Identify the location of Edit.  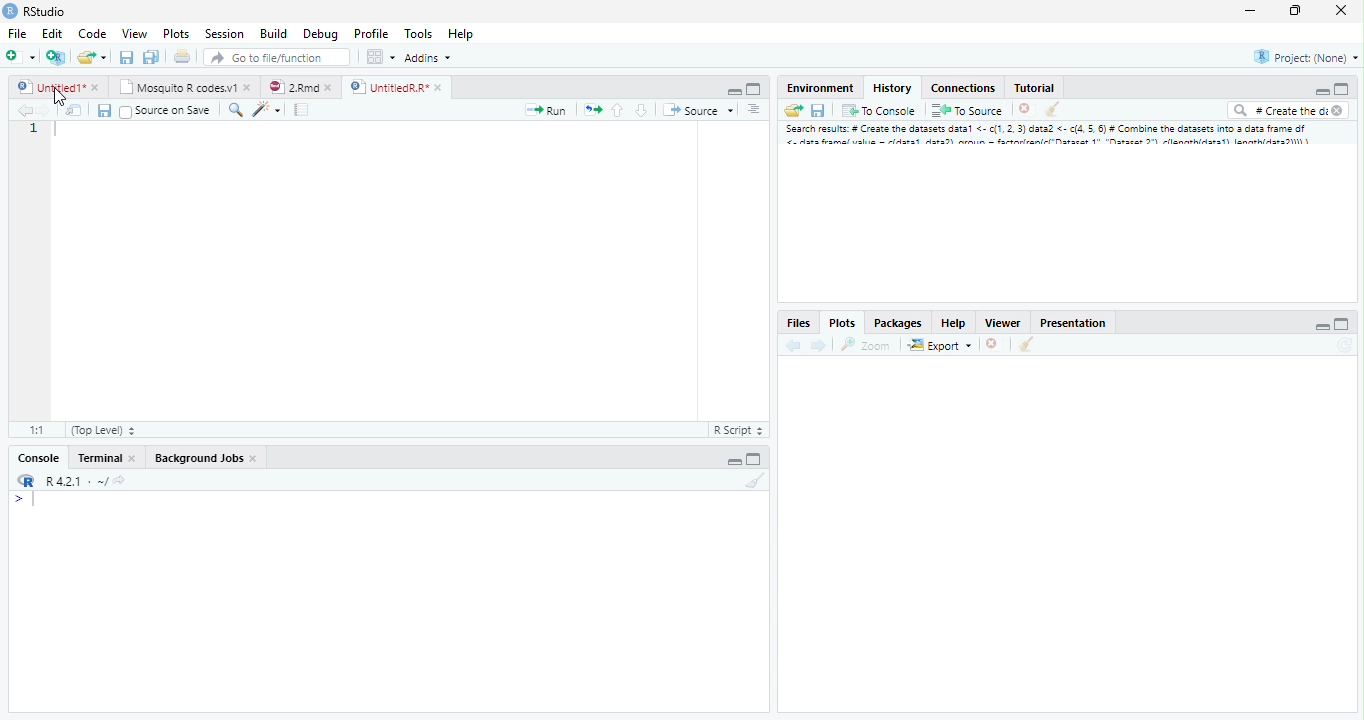
(53, 35).